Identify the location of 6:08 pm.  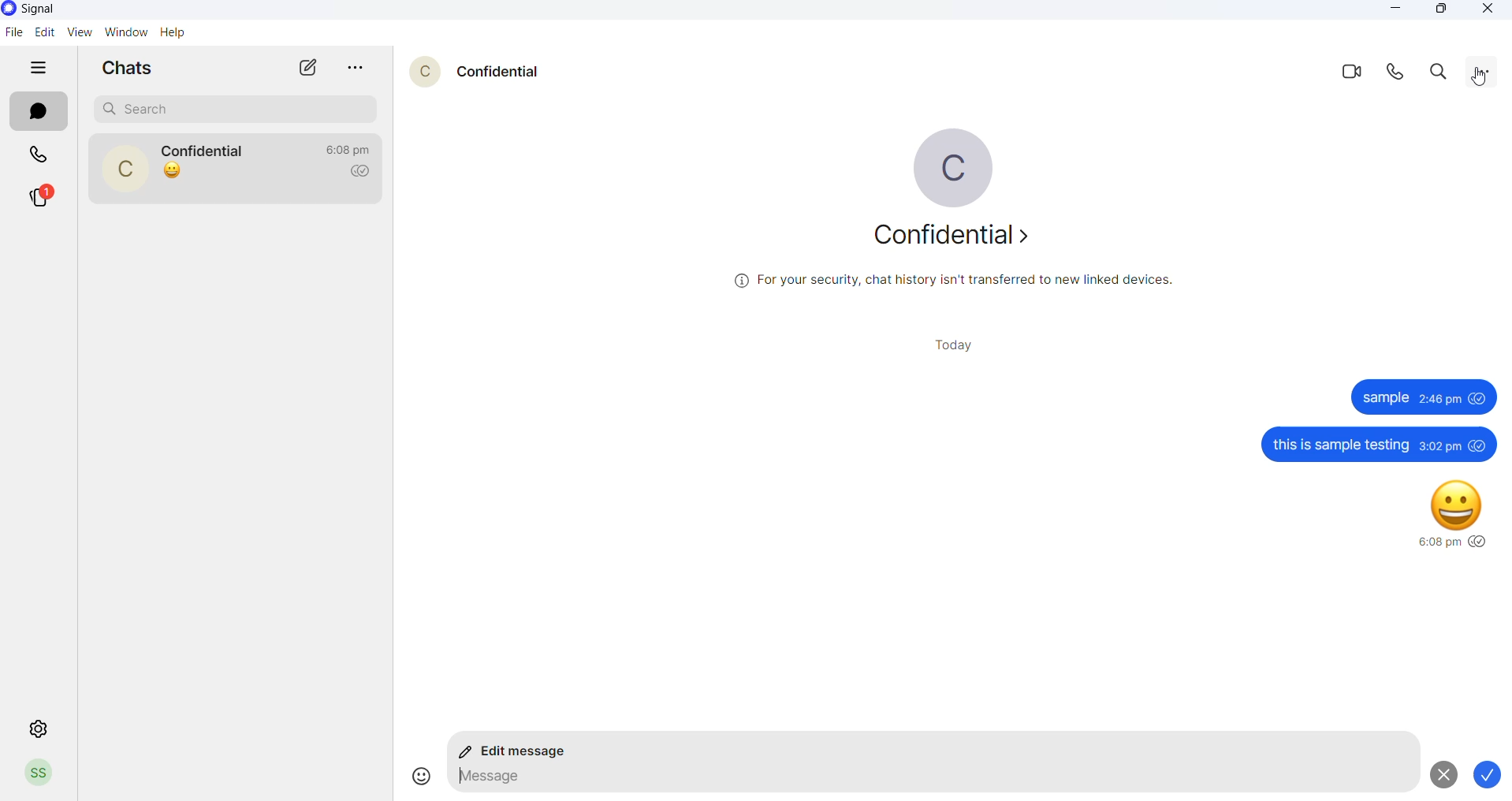
(1437, 543).